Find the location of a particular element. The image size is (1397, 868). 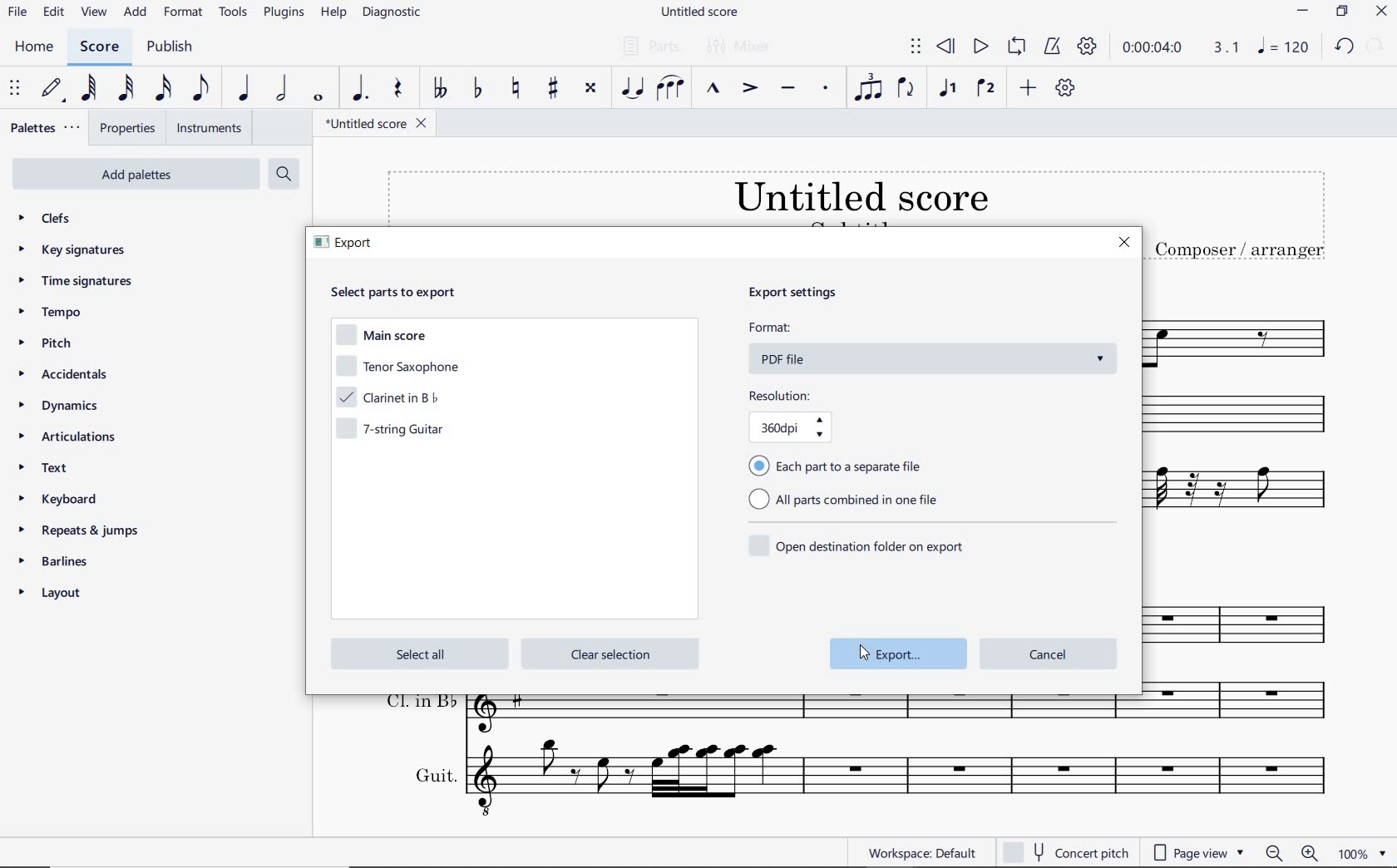

articulations is located at coordinates (71, 437).